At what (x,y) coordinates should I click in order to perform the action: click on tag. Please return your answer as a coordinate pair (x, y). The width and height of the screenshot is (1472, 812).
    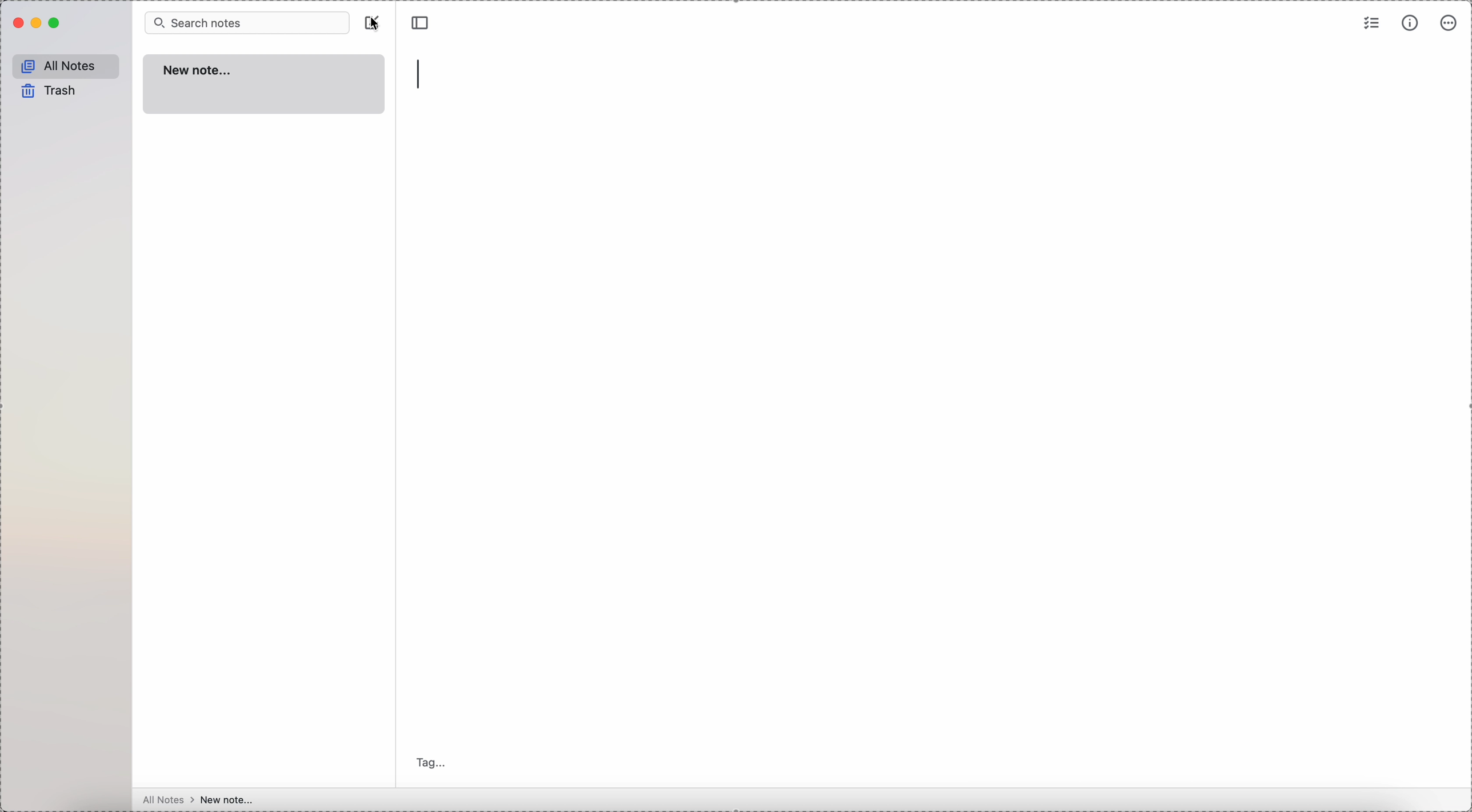
    Looking at the image, I should click on (431, 762).